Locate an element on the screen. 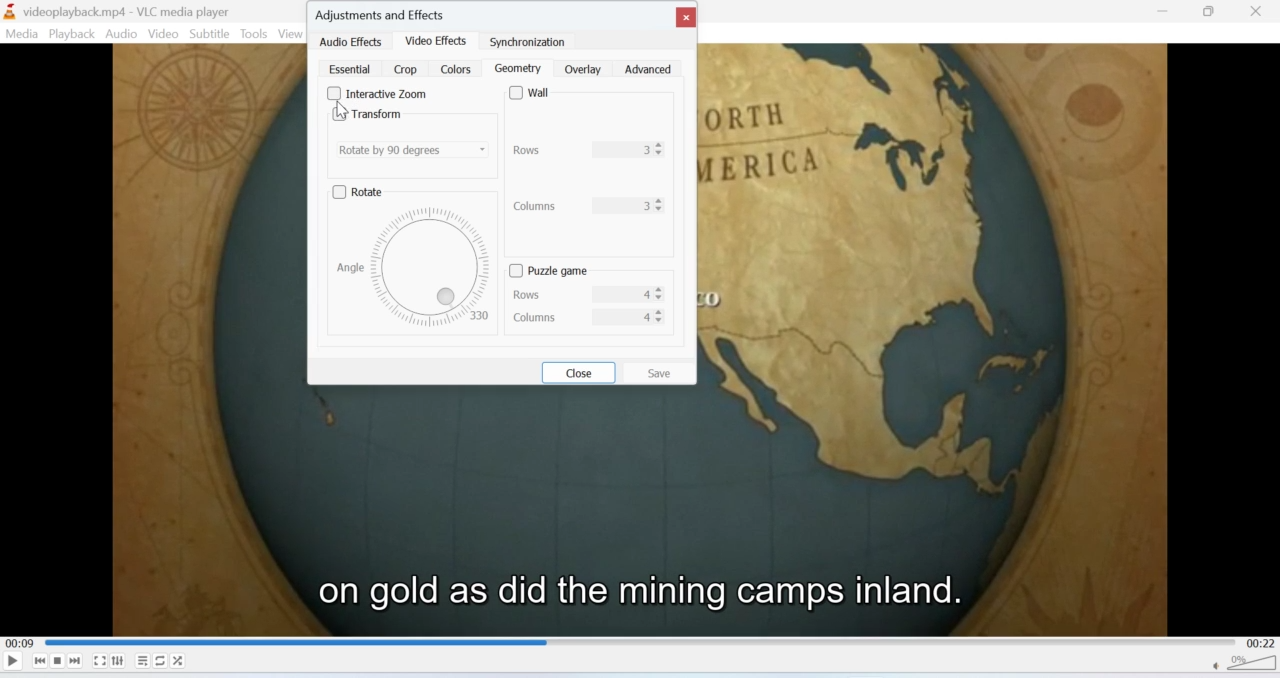 The image size is (1280, 678). columns    3 is located at coordinates (589, 205).